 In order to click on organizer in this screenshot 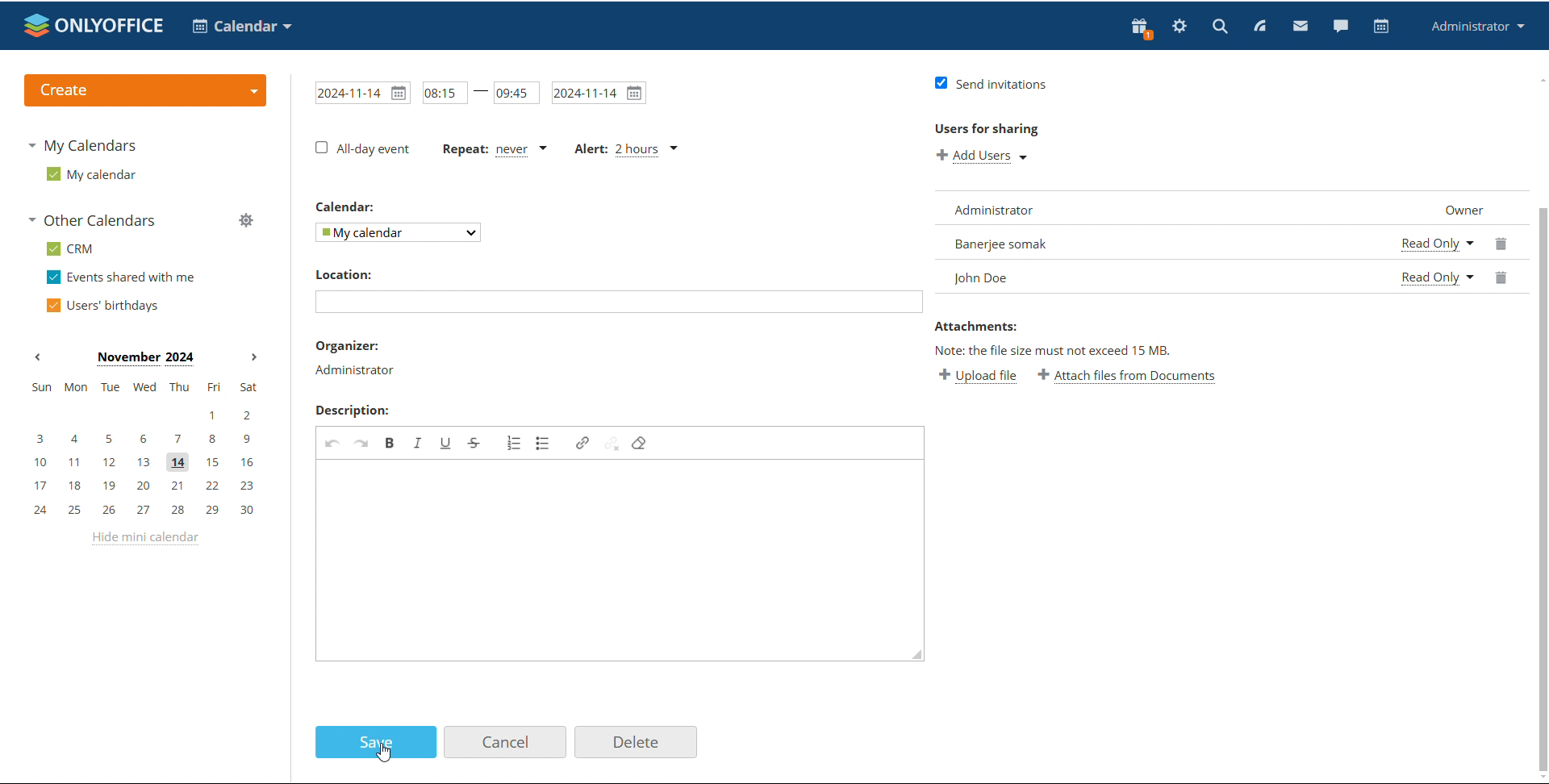, I will do `click(355, 371)`.